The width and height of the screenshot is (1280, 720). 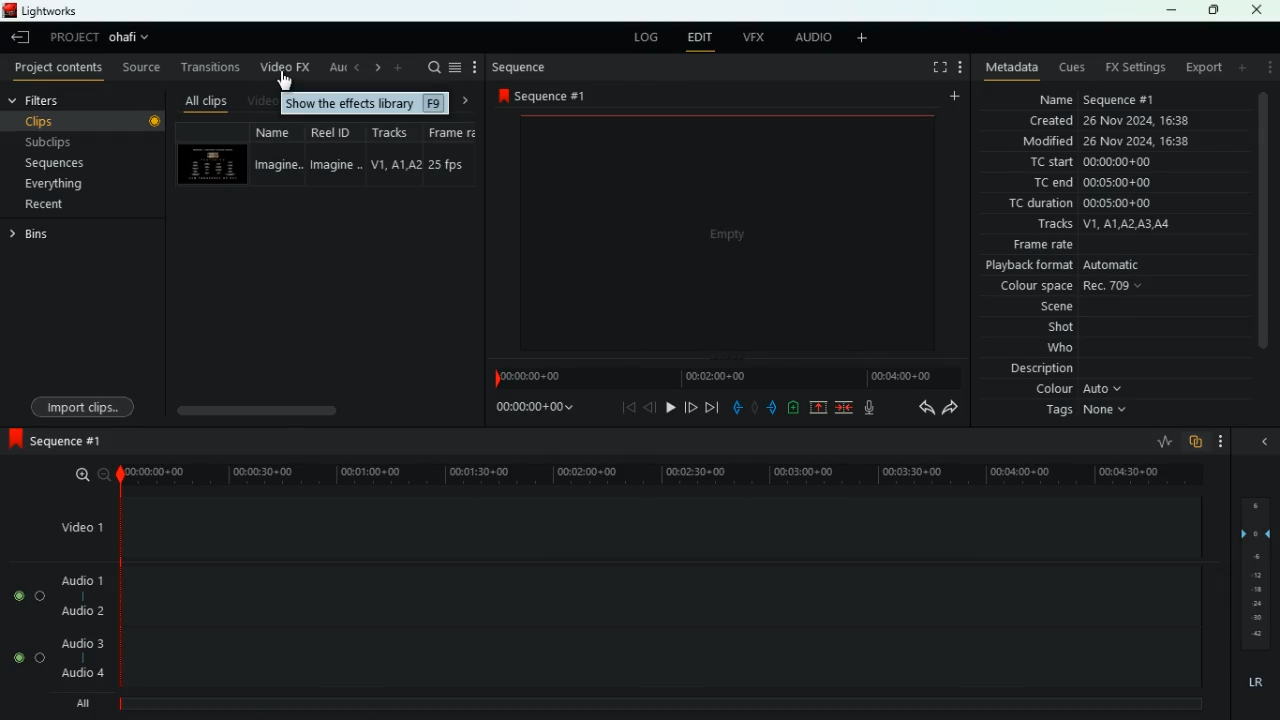 I want to click on list, so click(x=455, y=68).